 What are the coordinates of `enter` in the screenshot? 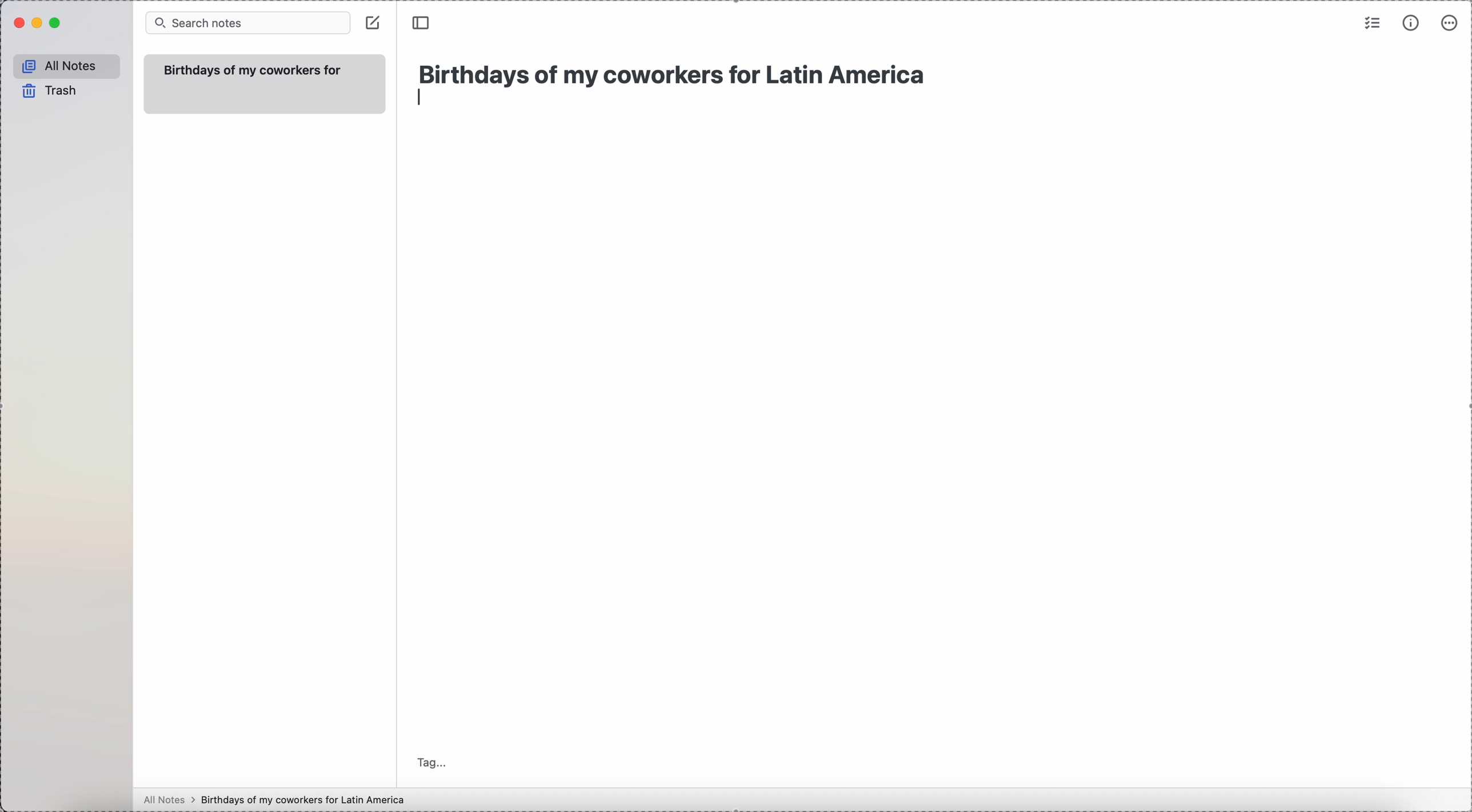 It's located at (421, 97).